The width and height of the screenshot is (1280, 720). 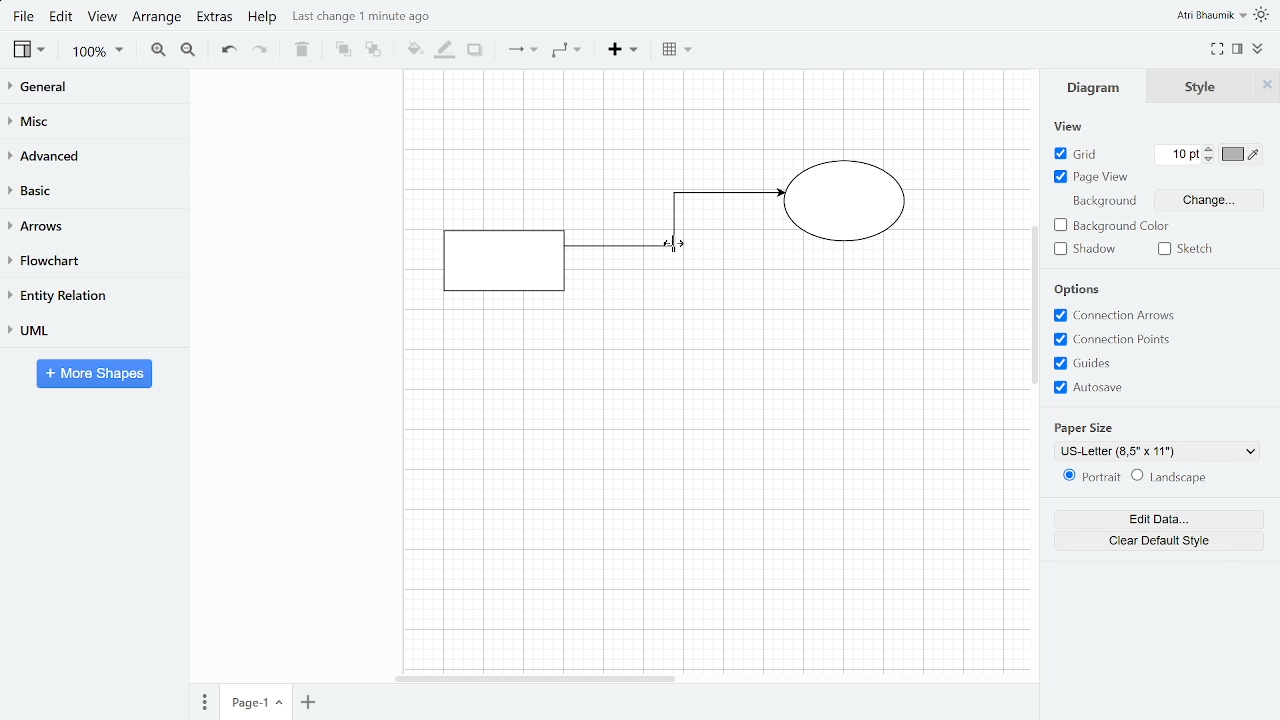 I want to click on To back, so click(x=373, y=50).